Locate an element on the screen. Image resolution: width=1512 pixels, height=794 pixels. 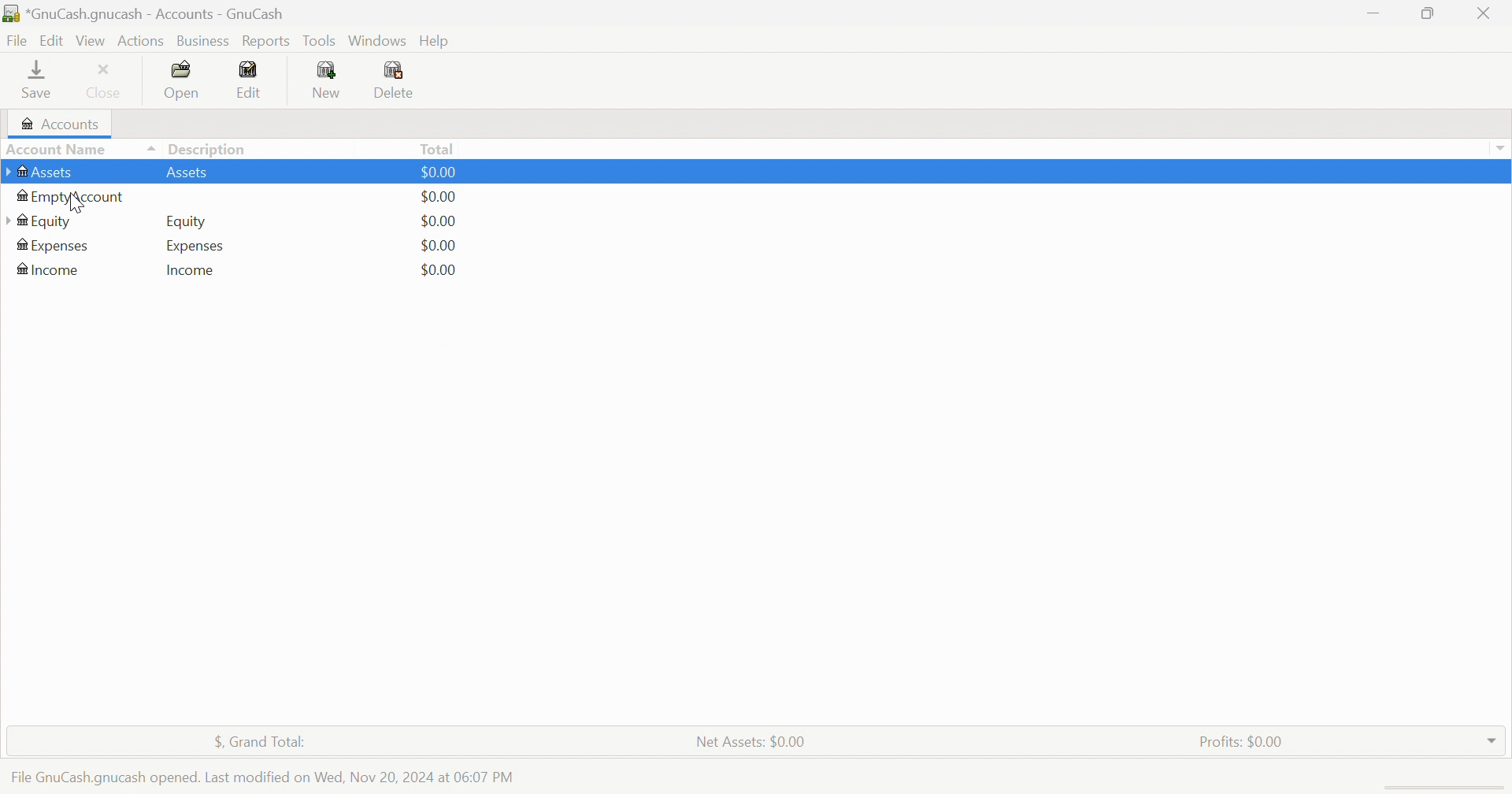
Restore Down is located at coordinates (1425, 12).